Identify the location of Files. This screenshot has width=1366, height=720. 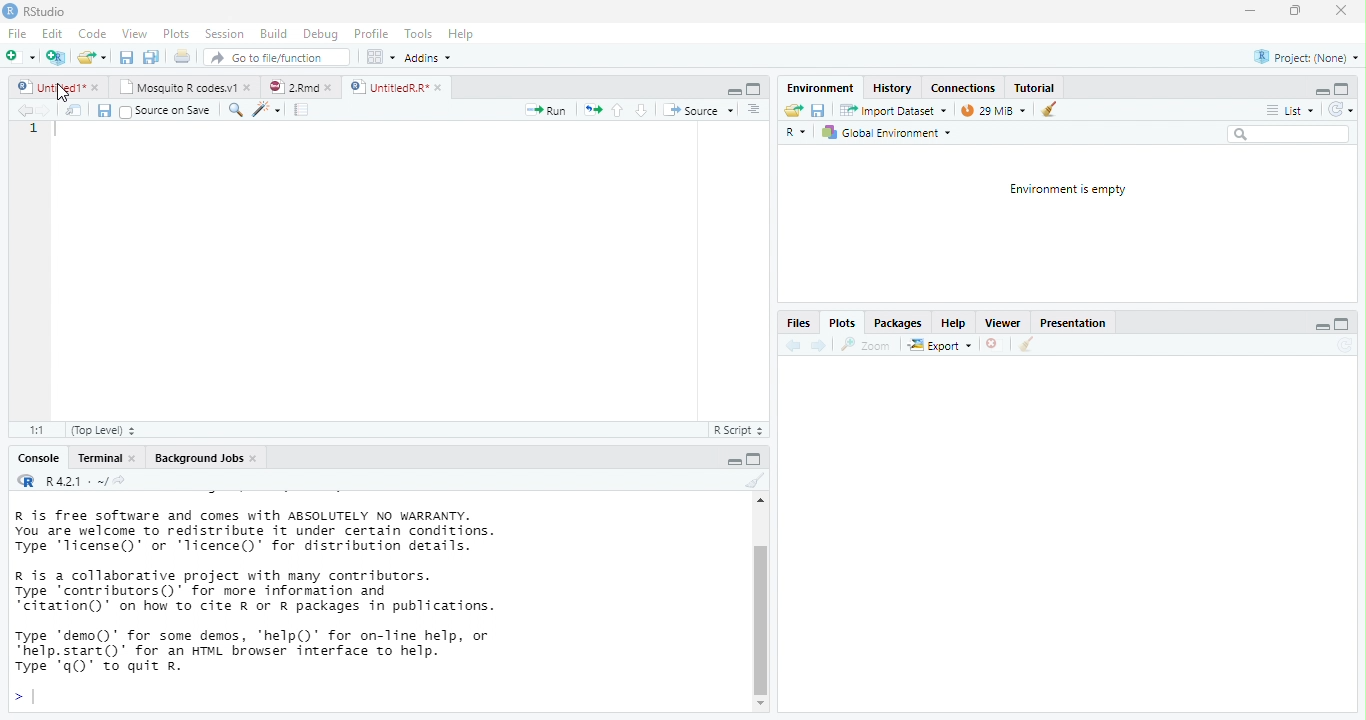
(797, 324).